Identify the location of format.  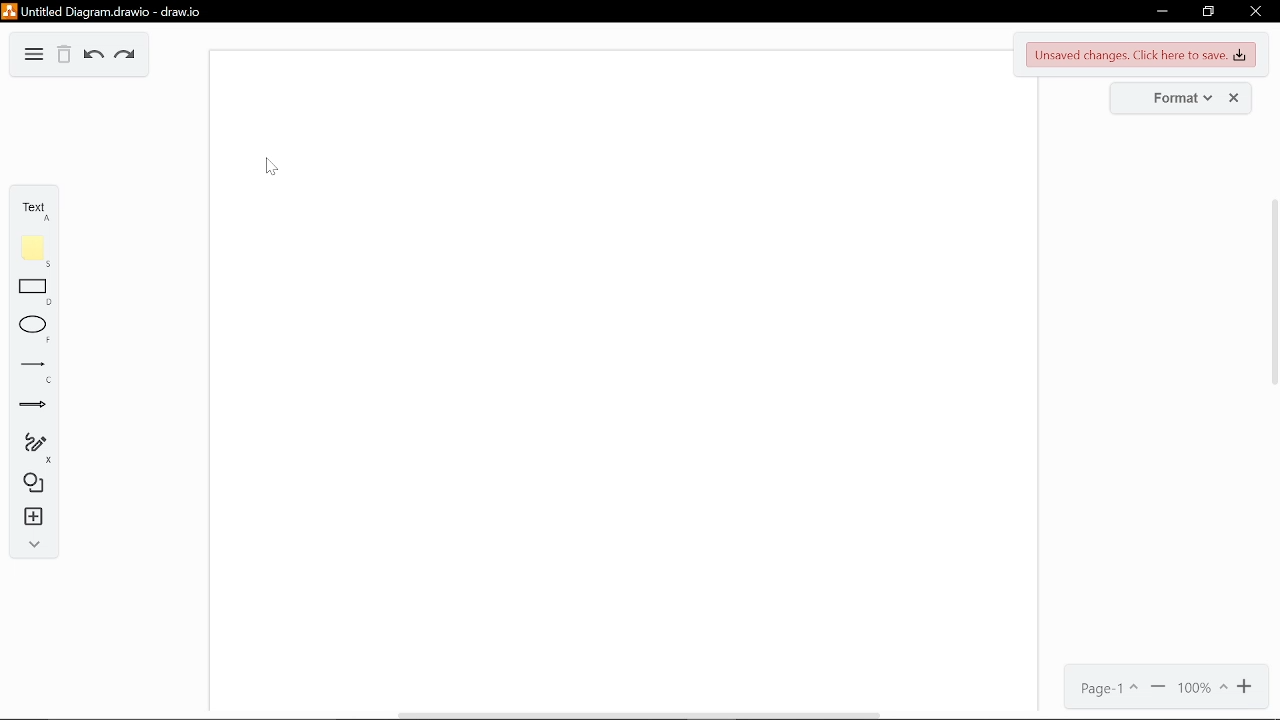
(1170, 97).